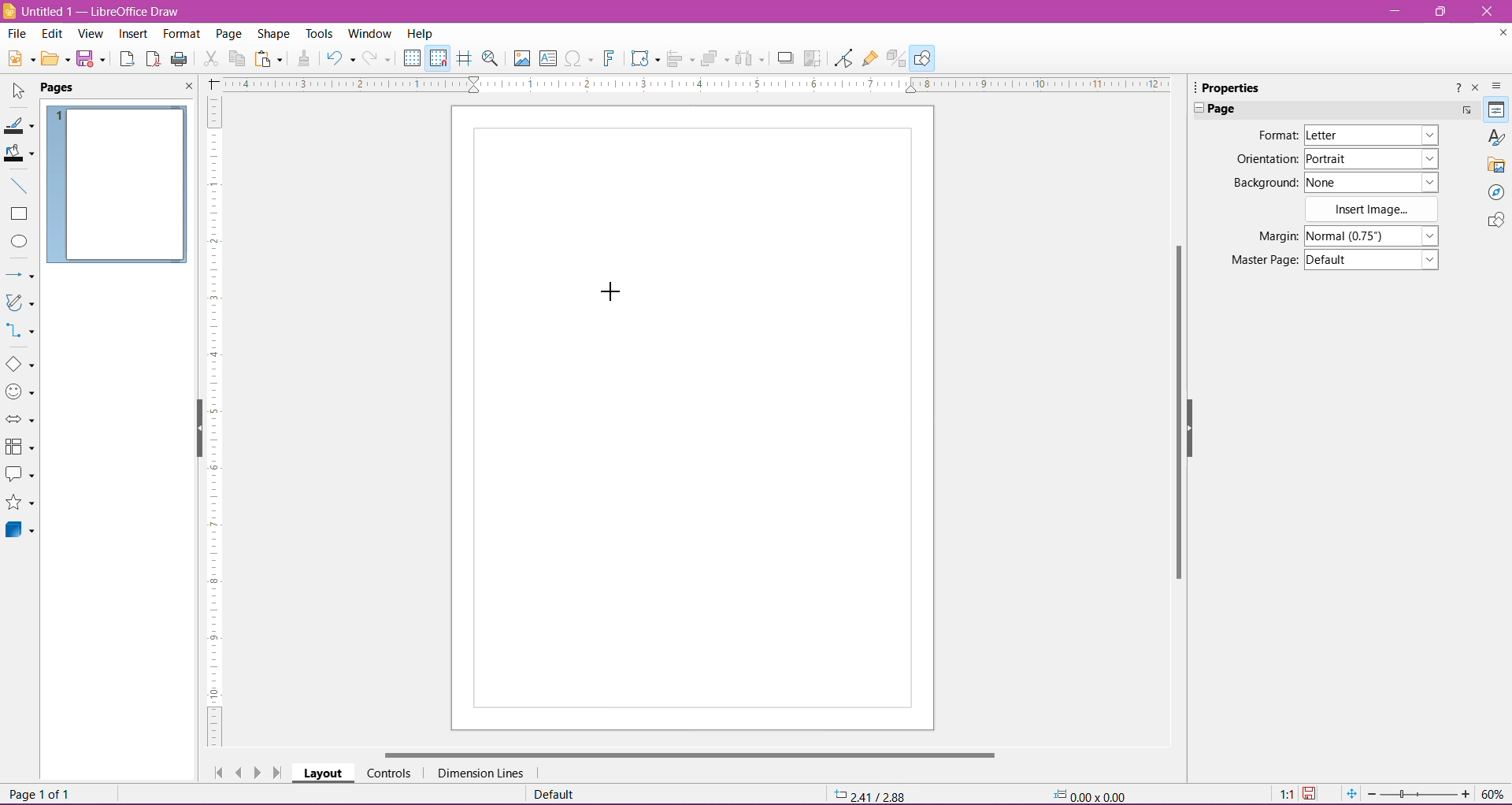  Describe the element at coordinates (521, 58) in the screenshot. I see `Insert Image` at that location.